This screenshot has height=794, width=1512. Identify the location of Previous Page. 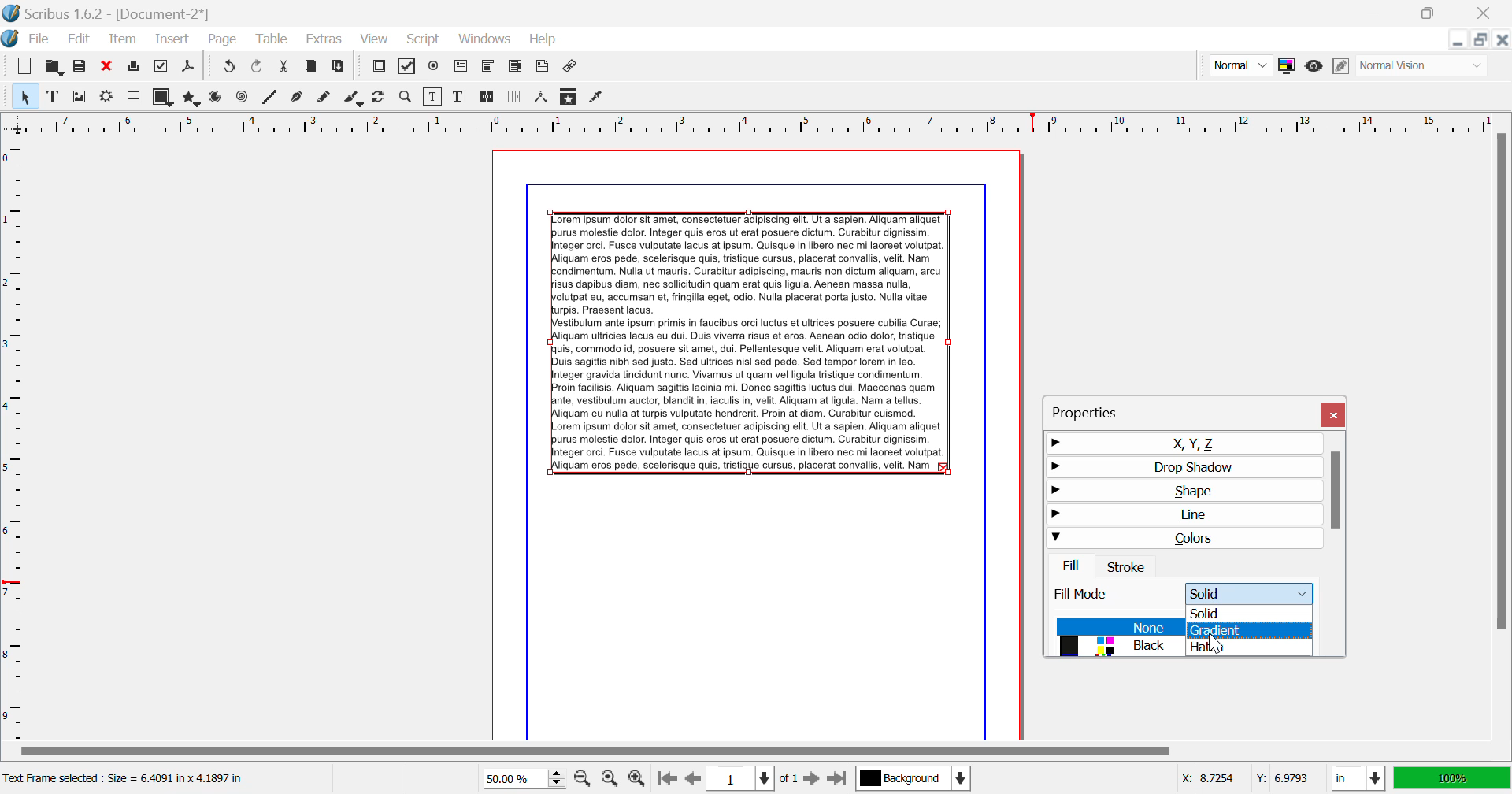
(691, 779).